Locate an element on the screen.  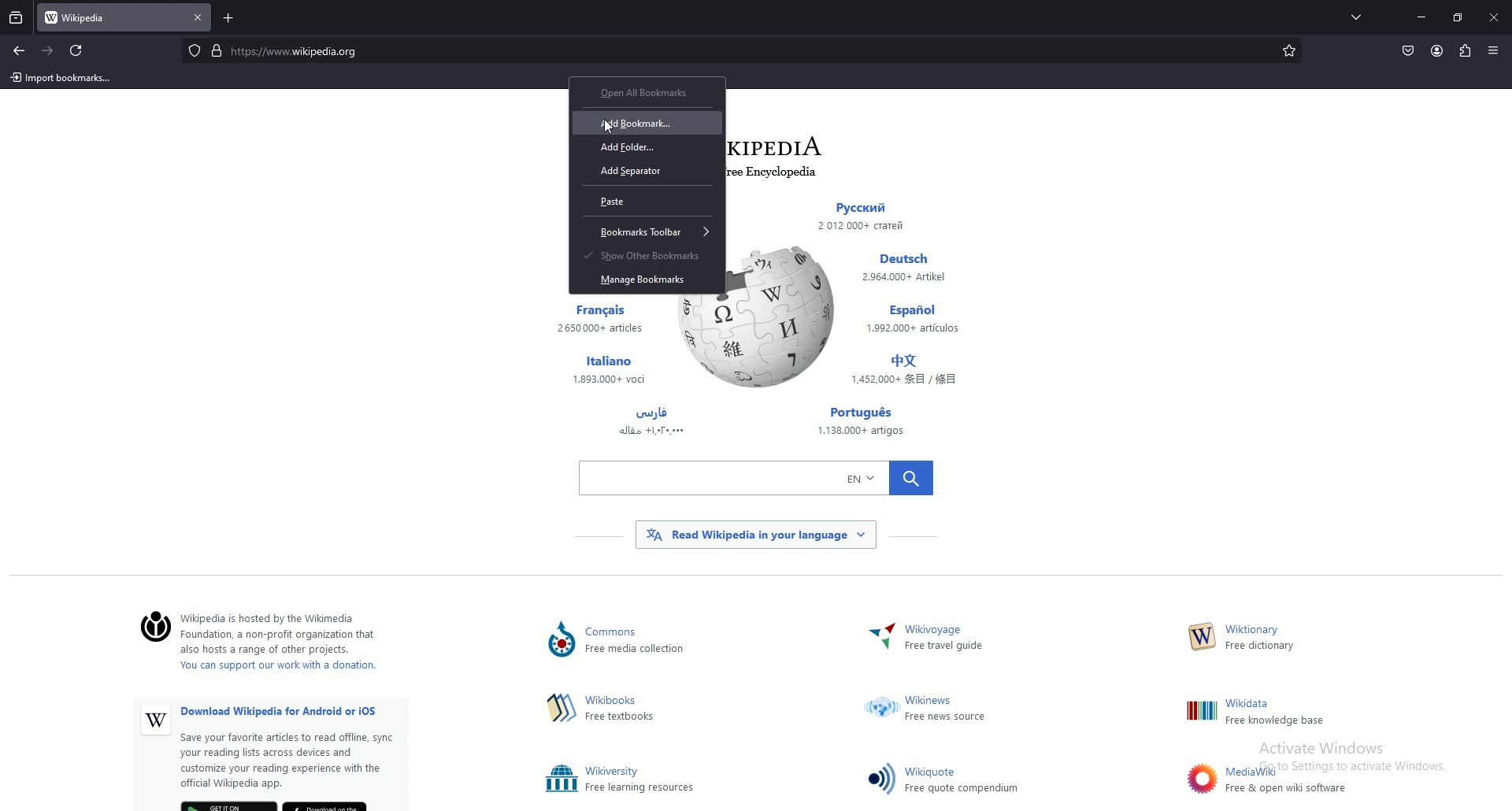
add folder is located at coordinates (648, 148).